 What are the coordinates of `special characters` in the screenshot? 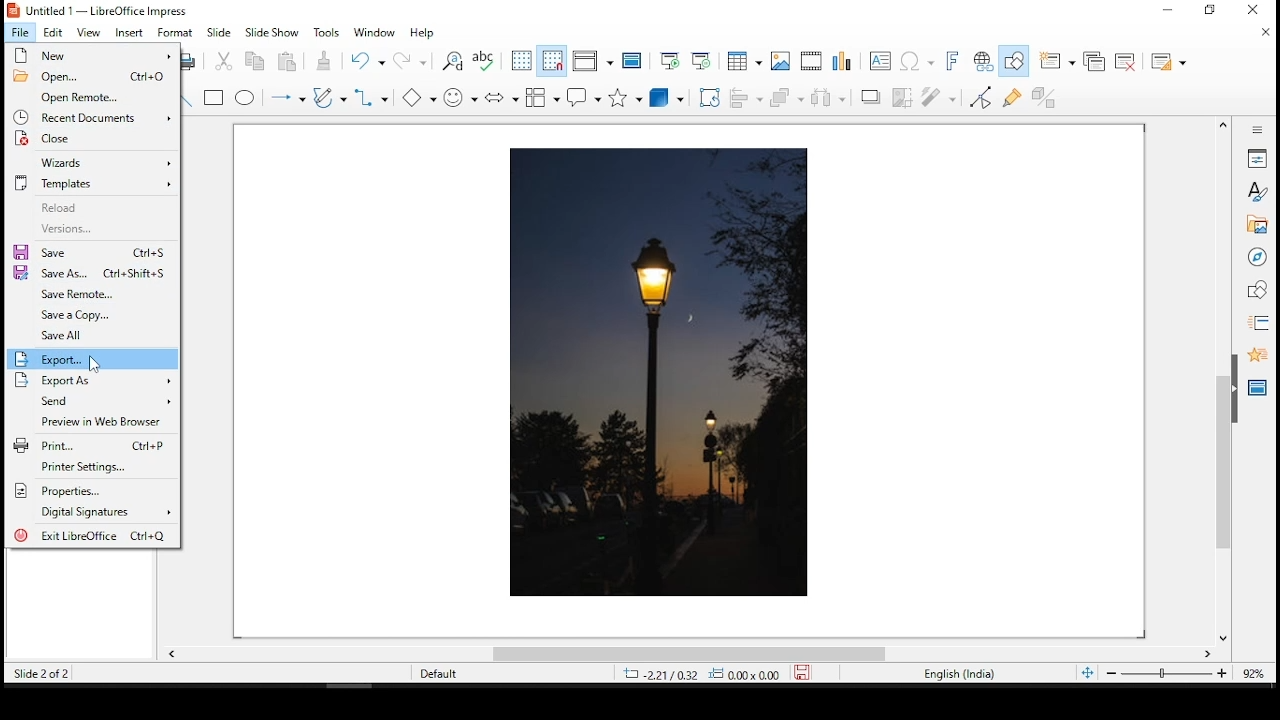 It's located at (916, 61).